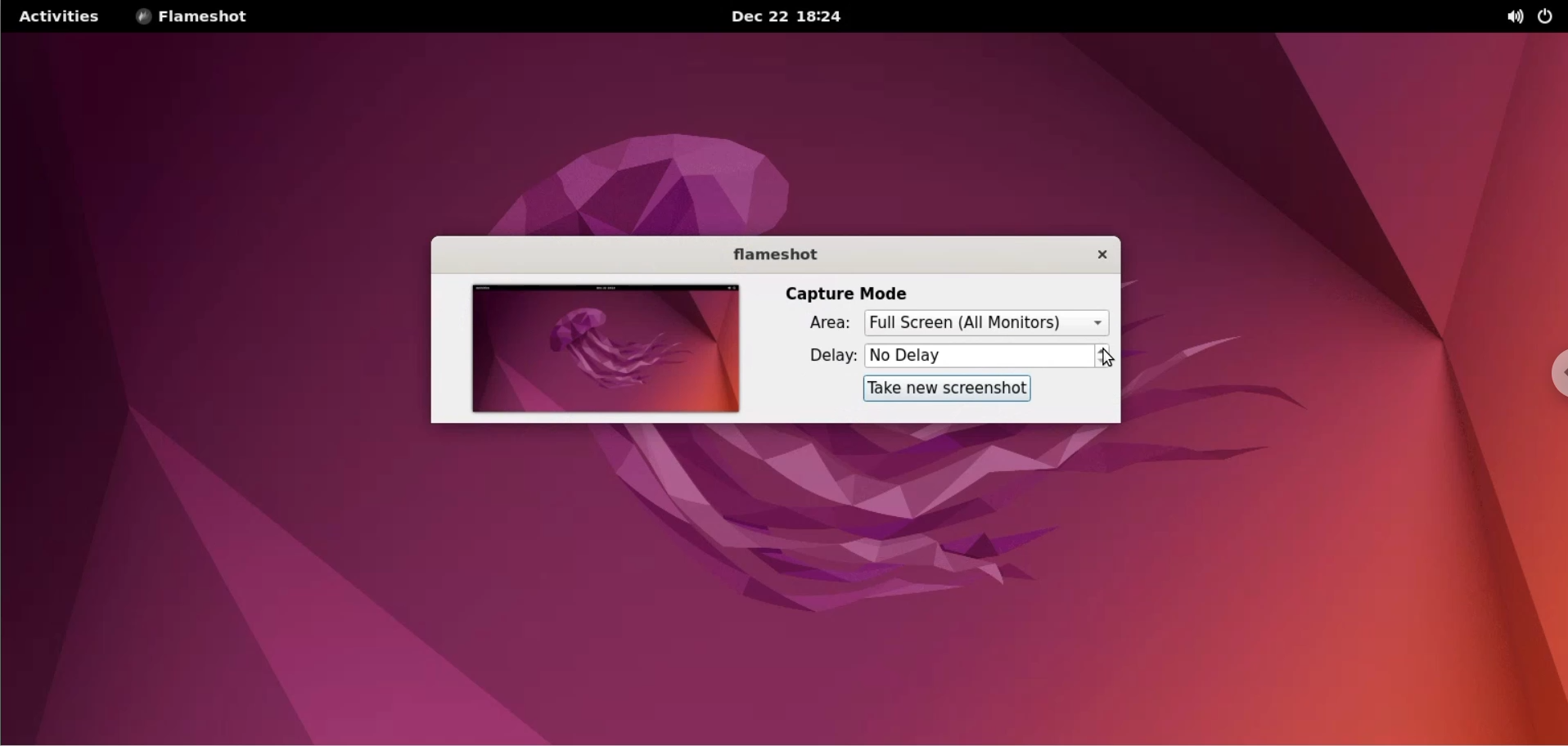  Describe the element at coordinates (1113, 356) in the screenshot. I see `cursor ` at that location.